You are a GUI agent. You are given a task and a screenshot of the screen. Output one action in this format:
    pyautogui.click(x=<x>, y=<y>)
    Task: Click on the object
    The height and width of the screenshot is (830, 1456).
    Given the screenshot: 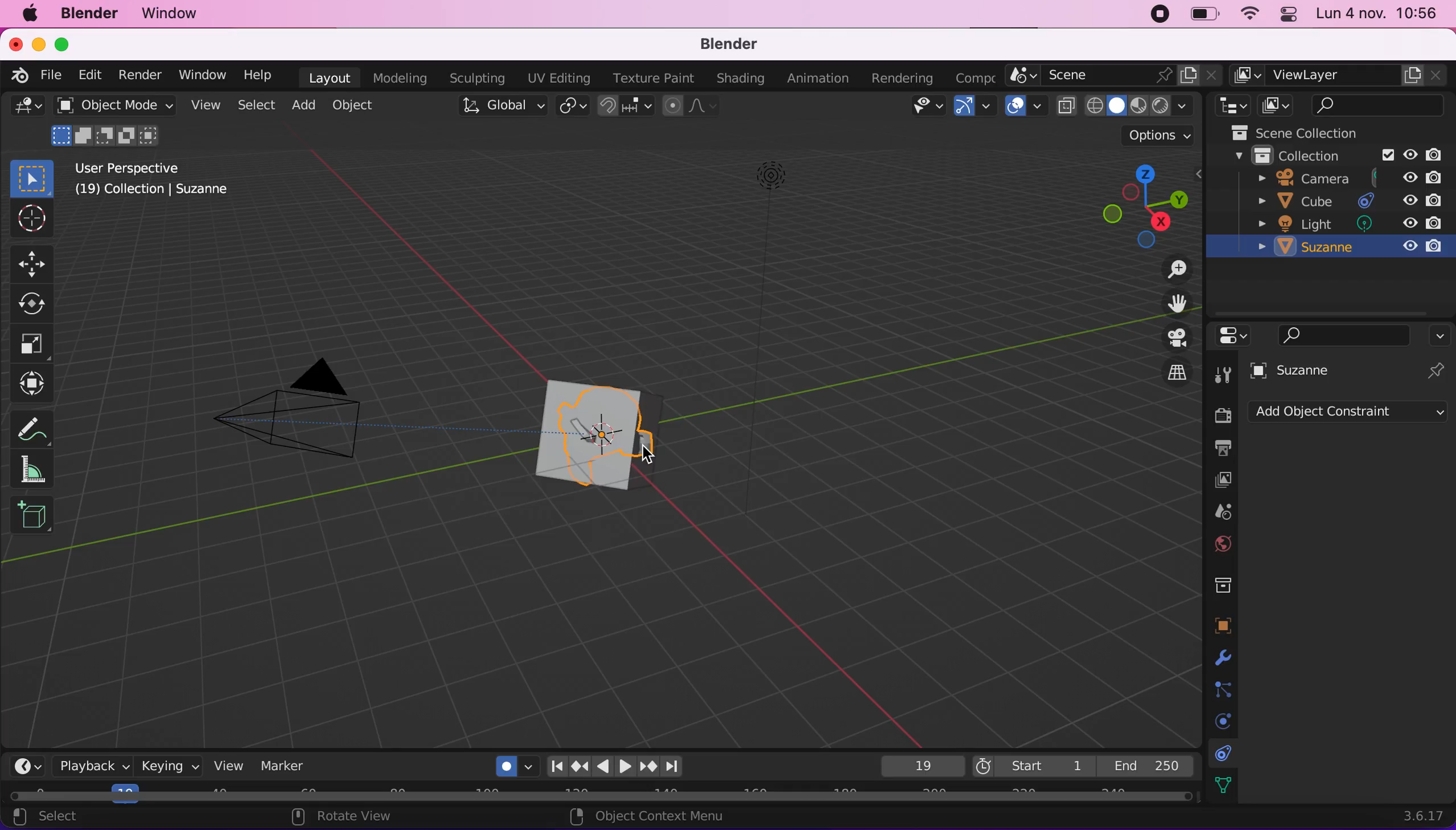 What is the action you would take?
    pyautogui.click(x=1222, y=621)
    